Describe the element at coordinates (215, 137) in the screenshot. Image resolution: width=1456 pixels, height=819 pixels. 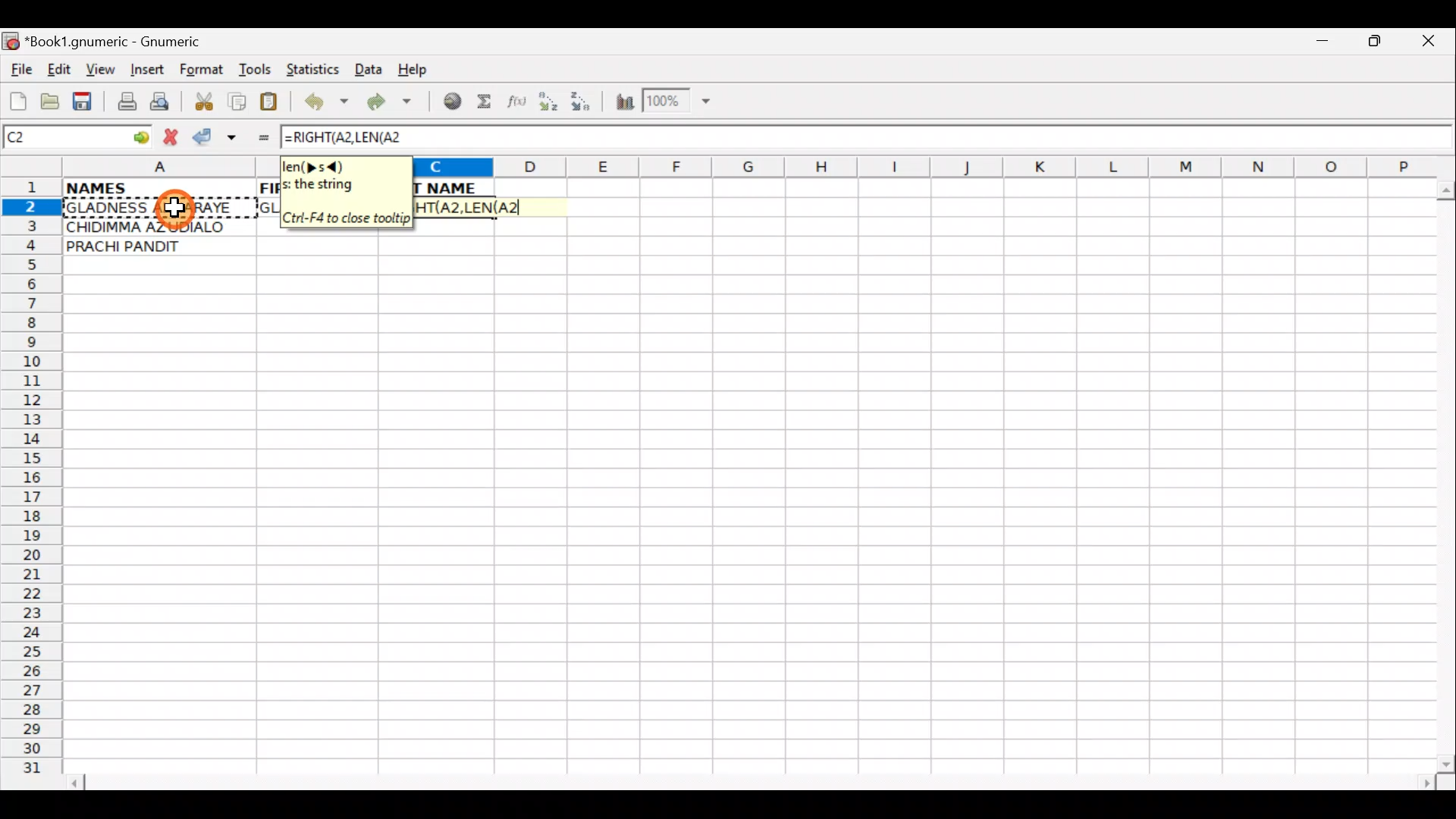
I see `Accept change` at that location.